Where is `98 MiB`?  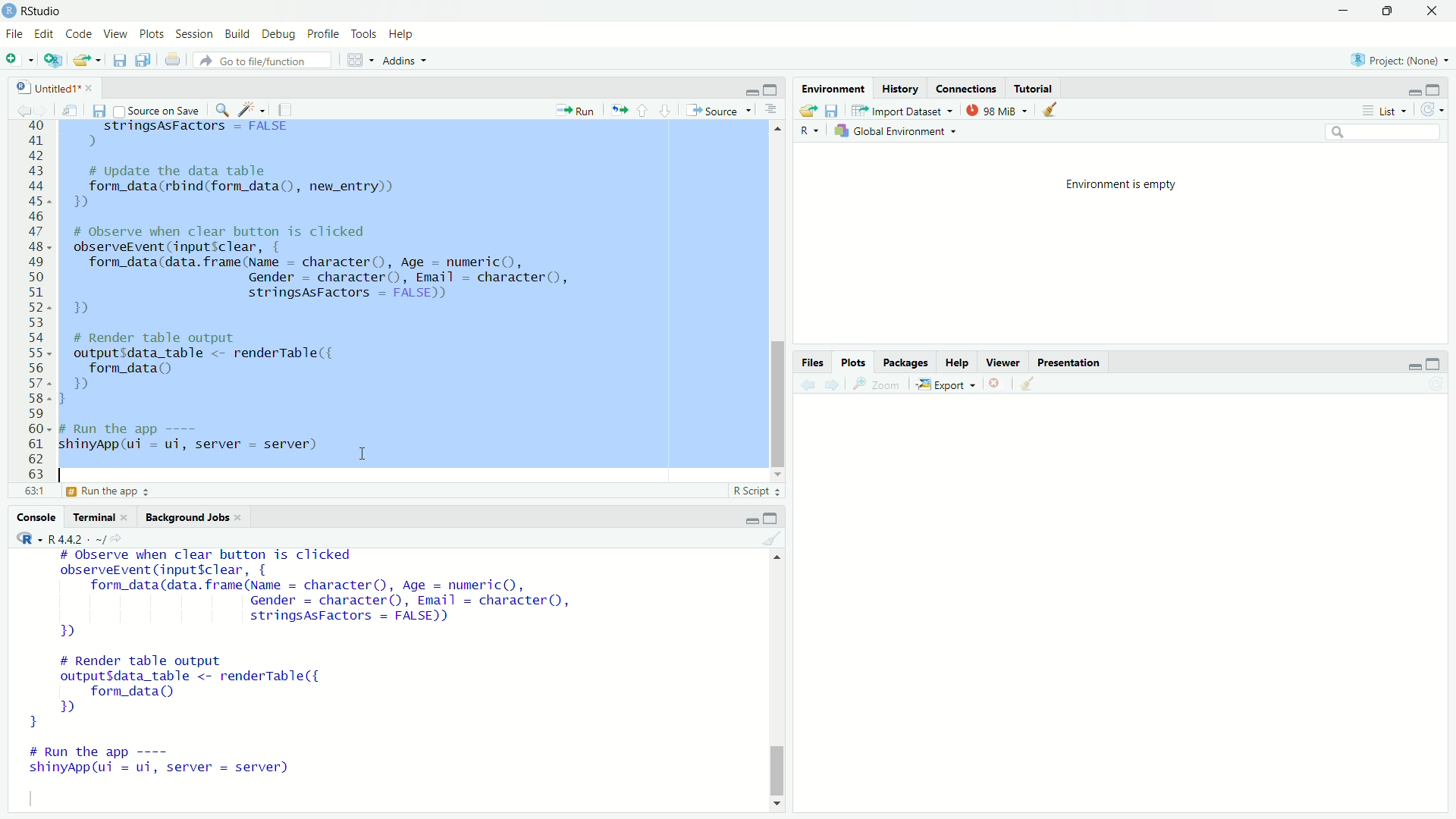 98 MiB is located at coordinates (999, 110).